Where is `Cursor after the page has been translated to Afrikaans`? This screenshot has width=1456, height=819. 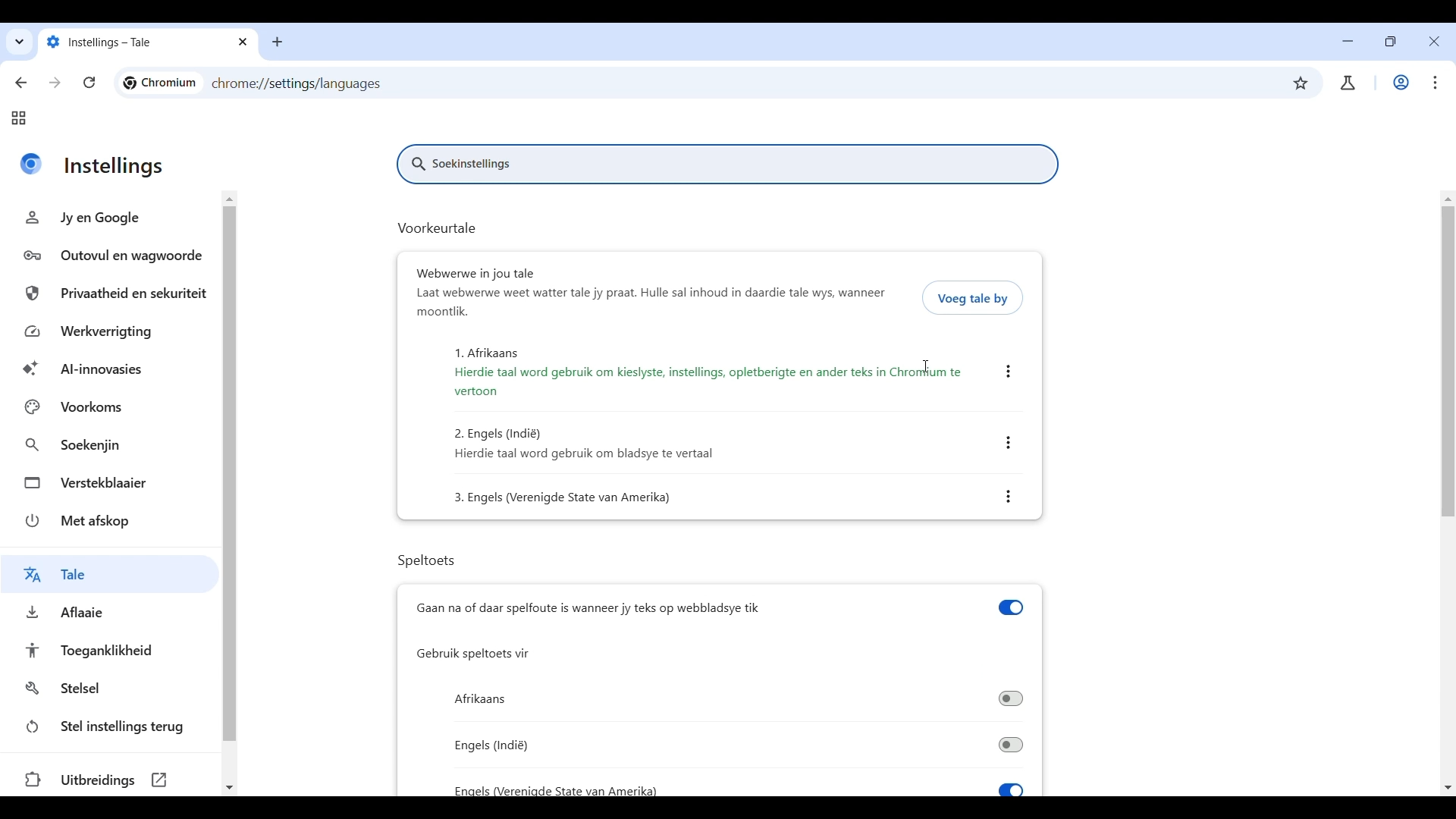 Cursor after the page has been translated to Afrikaans is located at coordinates (926, 366).